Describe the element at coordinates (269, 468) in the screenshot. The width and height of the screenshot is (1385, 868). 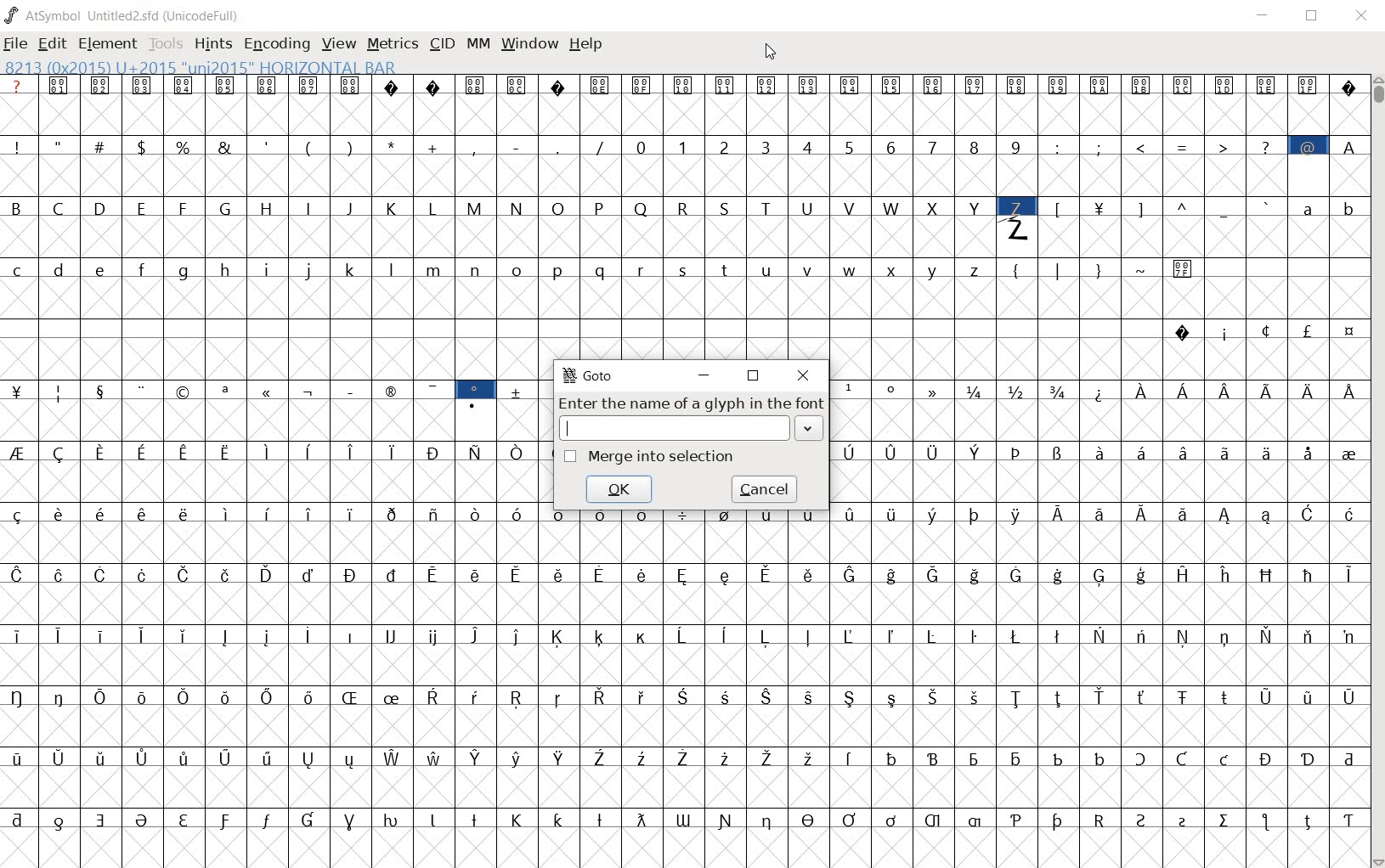
I see `GLYPHS` at that location.